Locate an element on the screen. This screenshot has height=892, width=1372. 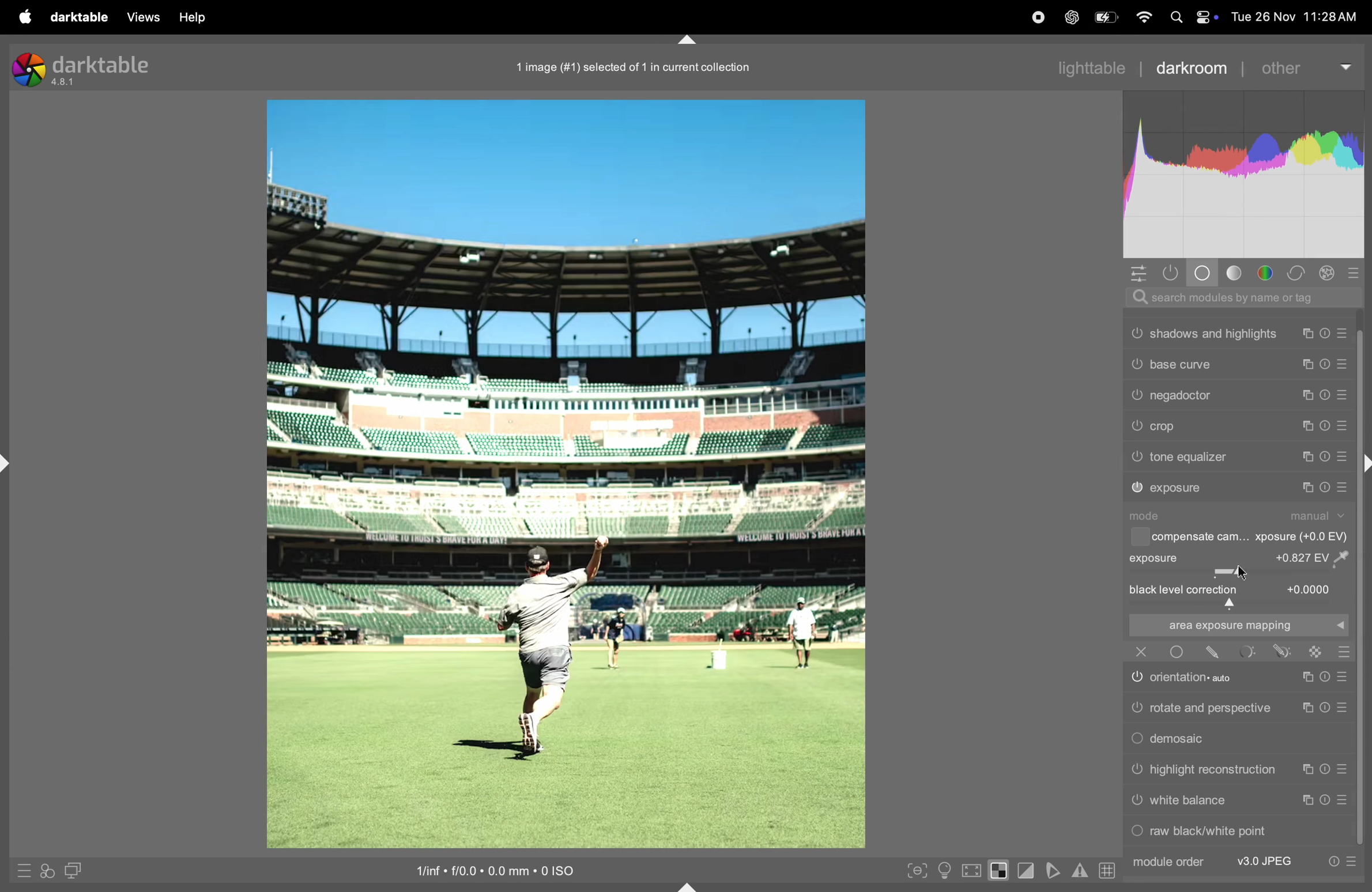
copy is located at coordinates (1306, 458).